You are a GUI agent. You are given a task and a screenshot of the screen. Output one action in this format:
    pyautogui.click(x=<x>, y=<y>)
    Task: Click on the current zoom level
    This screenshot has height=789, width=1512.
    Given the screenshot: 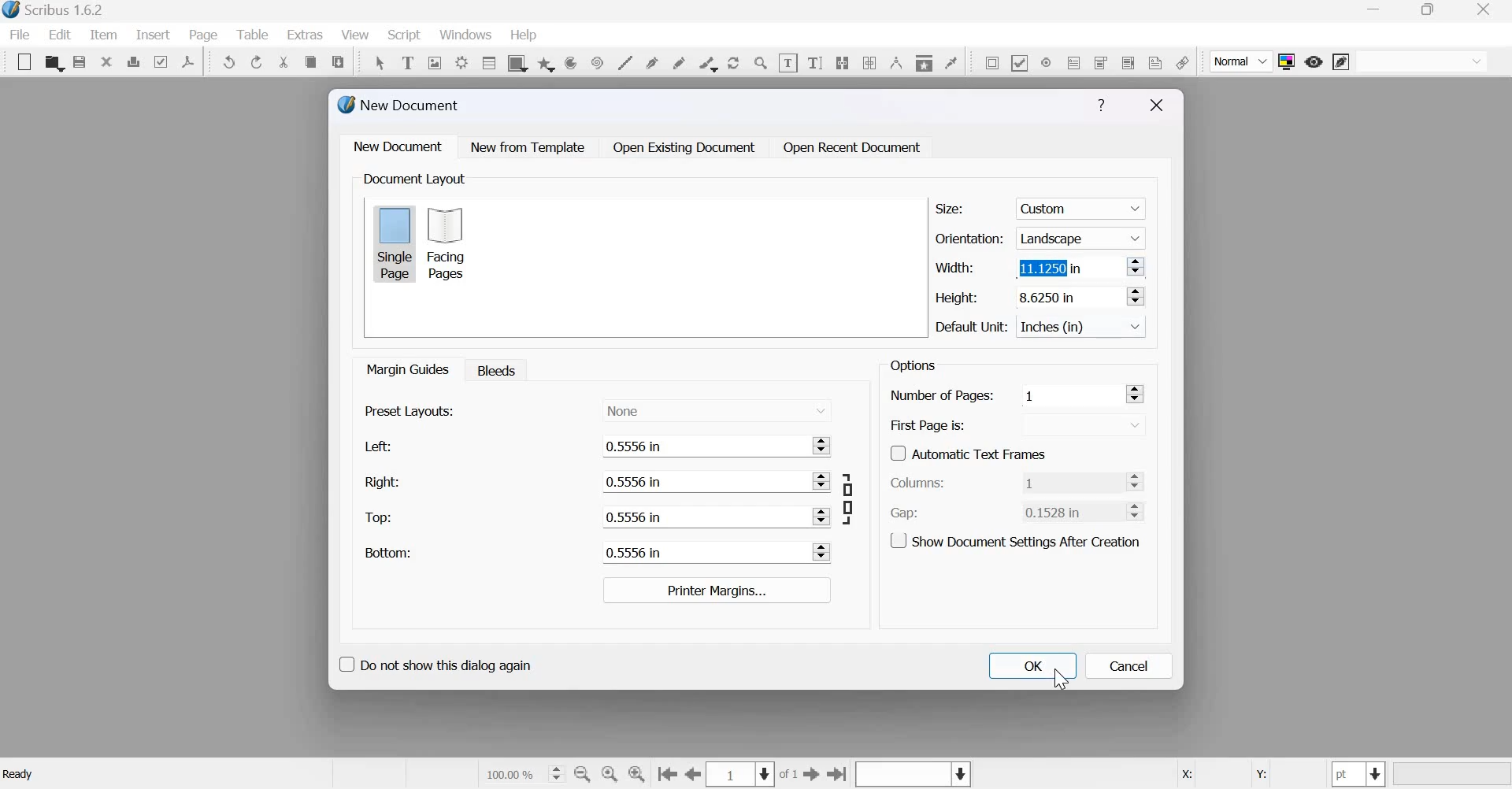 What is the action you would take?
    pyautogui.click(x=523, y=773)
    